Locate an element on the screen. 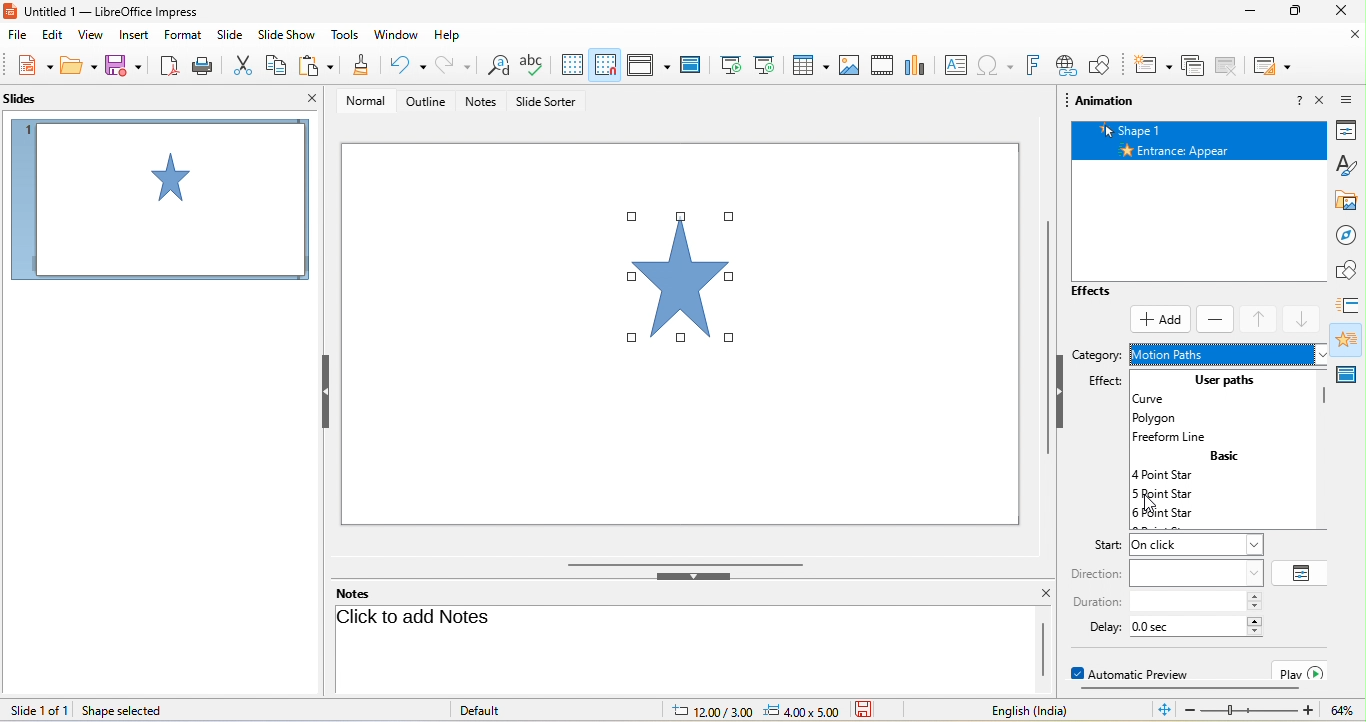 Image resolution: width=1366 pixels, height=722 pixels. slides is located at coordinates (32, 98).